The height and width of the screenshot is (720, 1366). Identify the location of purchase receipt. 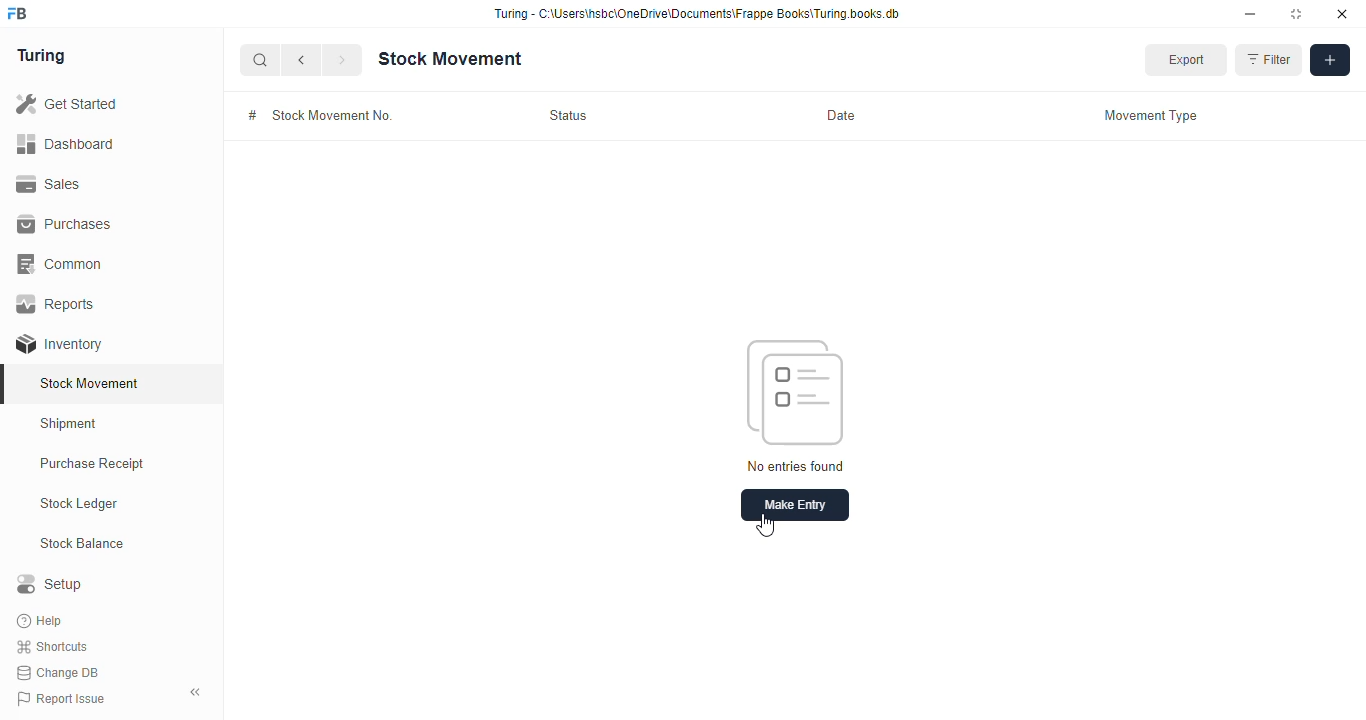
(92, 463).